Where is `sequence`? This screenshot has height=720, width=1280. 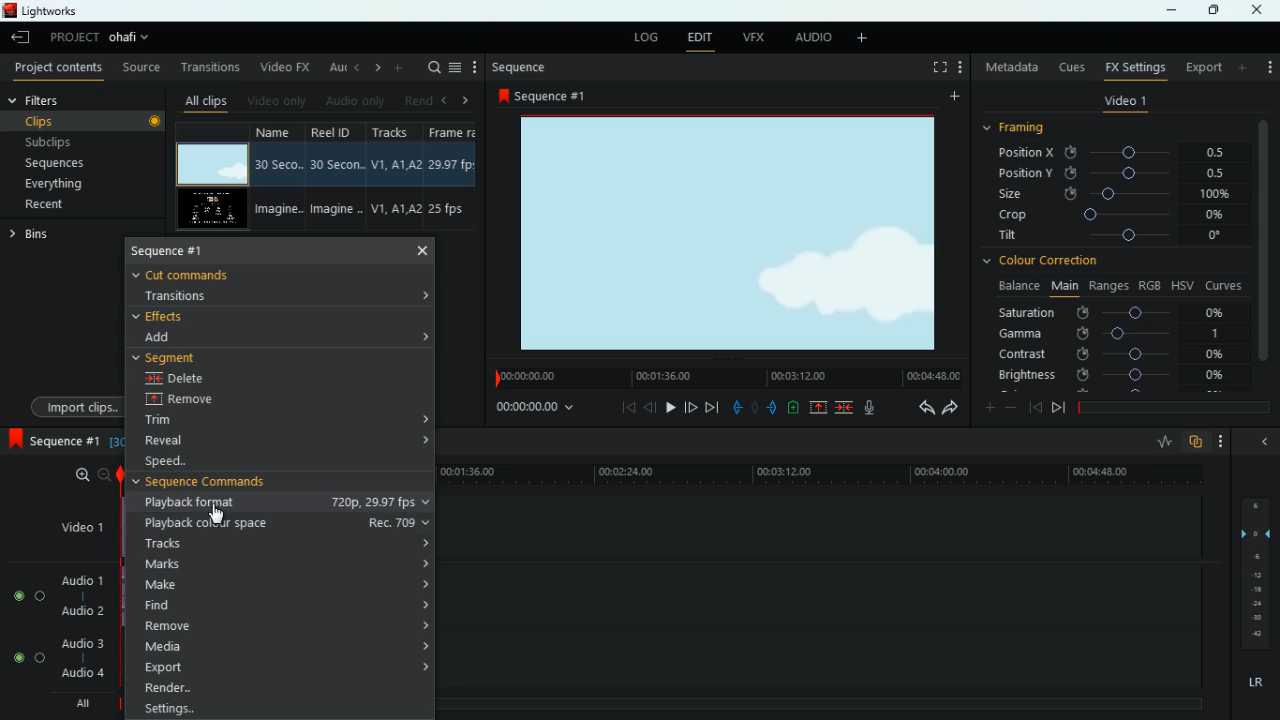
sequence is located at coordinates (223, 250).